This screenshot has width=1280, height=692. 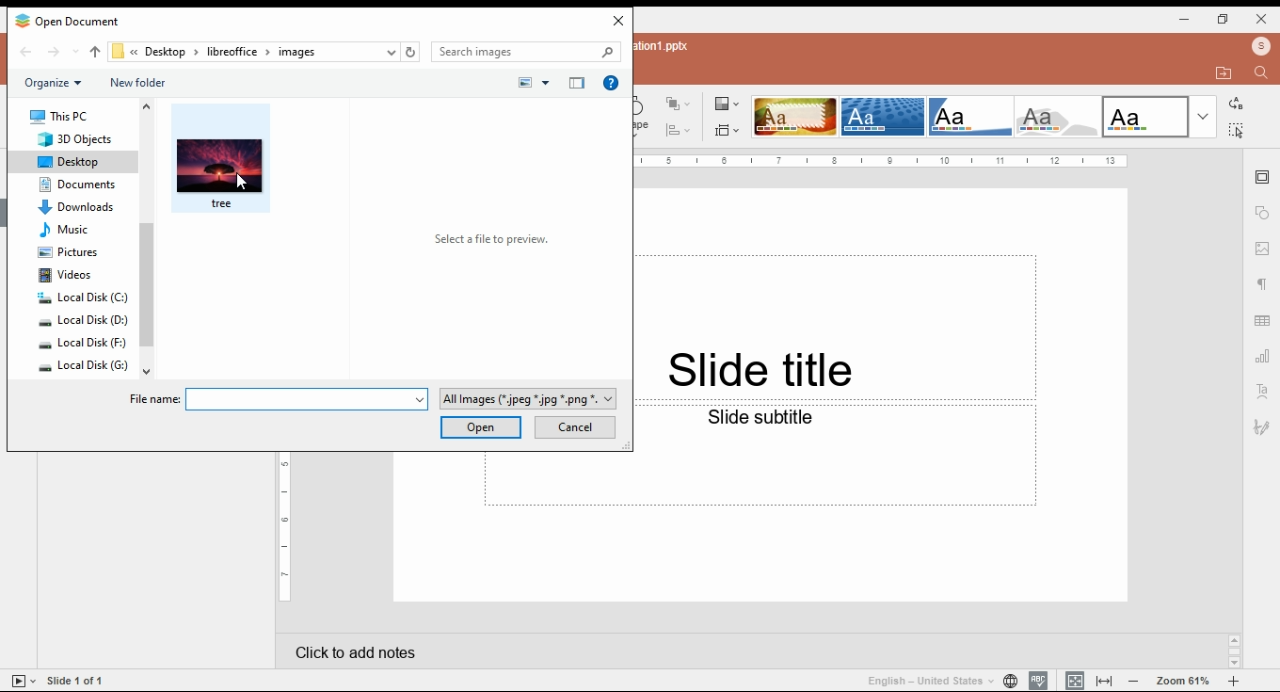 What do you see at coordinates (1262, 214) in the screenshot?
I see `shape settings` at bounding box center [1262, 214].